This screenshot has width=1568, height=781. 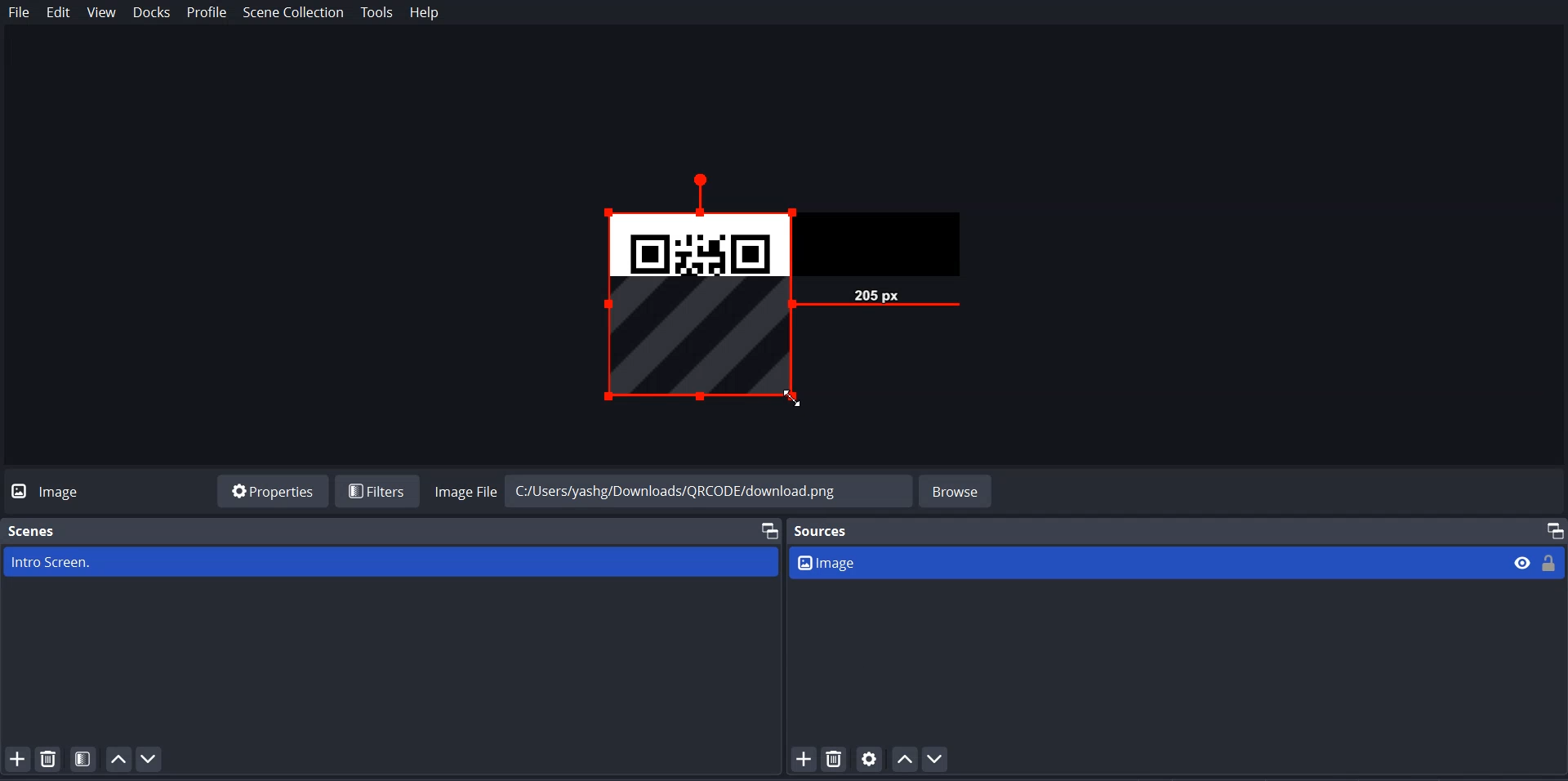 What do you see at coordinates (150, 759) in the screenshot?
I see `Move Scene Down ` at bounding box center [150, 759].